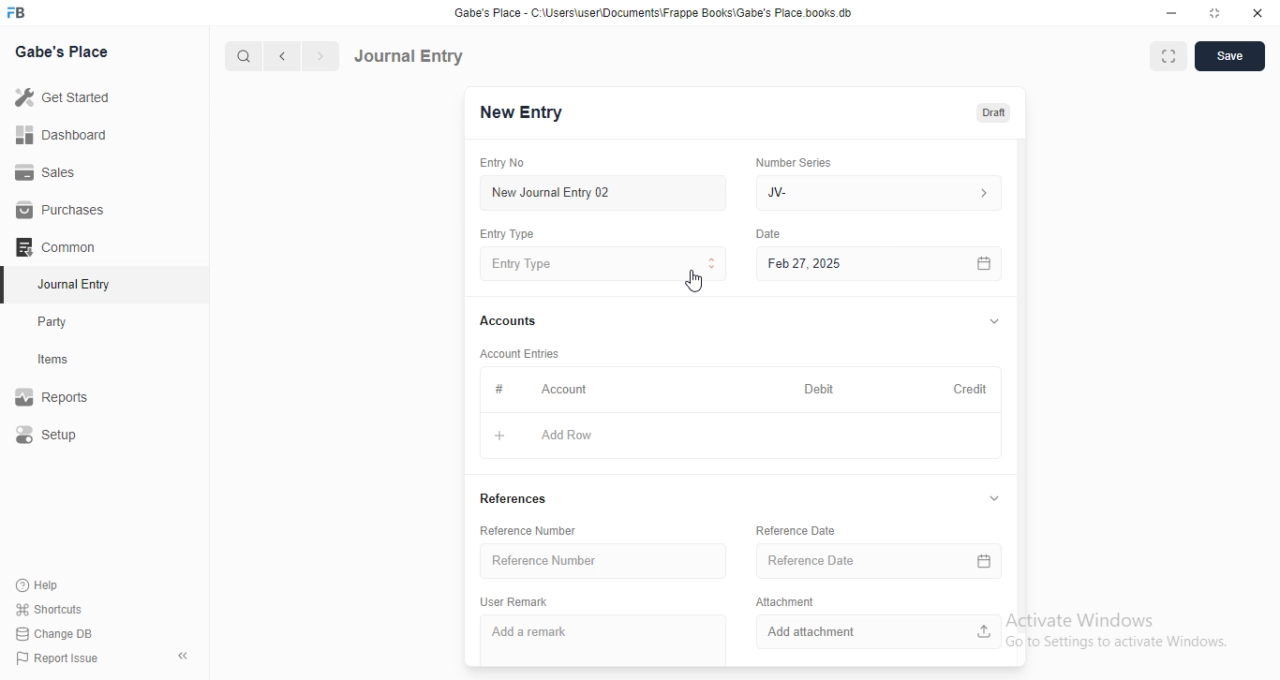 This screenshot has width=1280, height=680. Describe the element at coordinates (19, 11) in the screenshot. I see `FB` at that location.